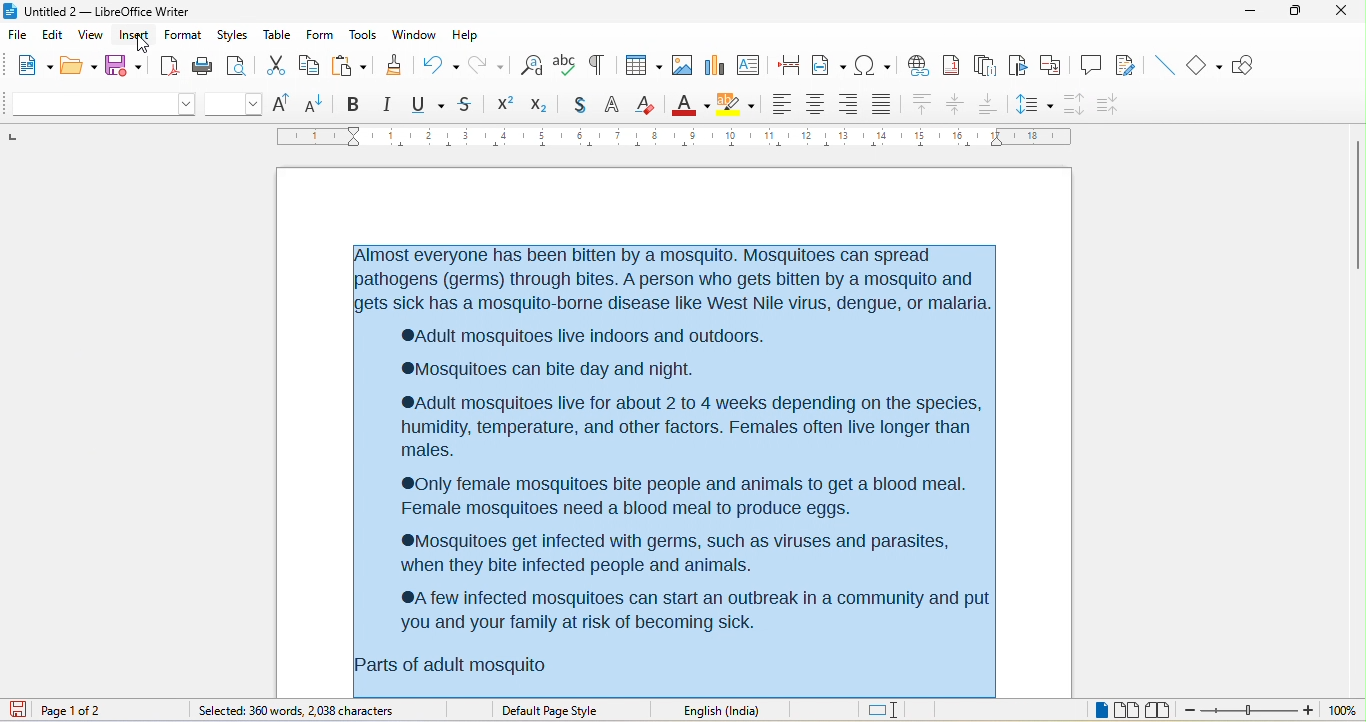 Image resolution: width=1366 pixels, height=722 pixels. What do you see at coordinates (1158, 710) in the screenshot?
I see `book view` at bounding box center [1158, 710].